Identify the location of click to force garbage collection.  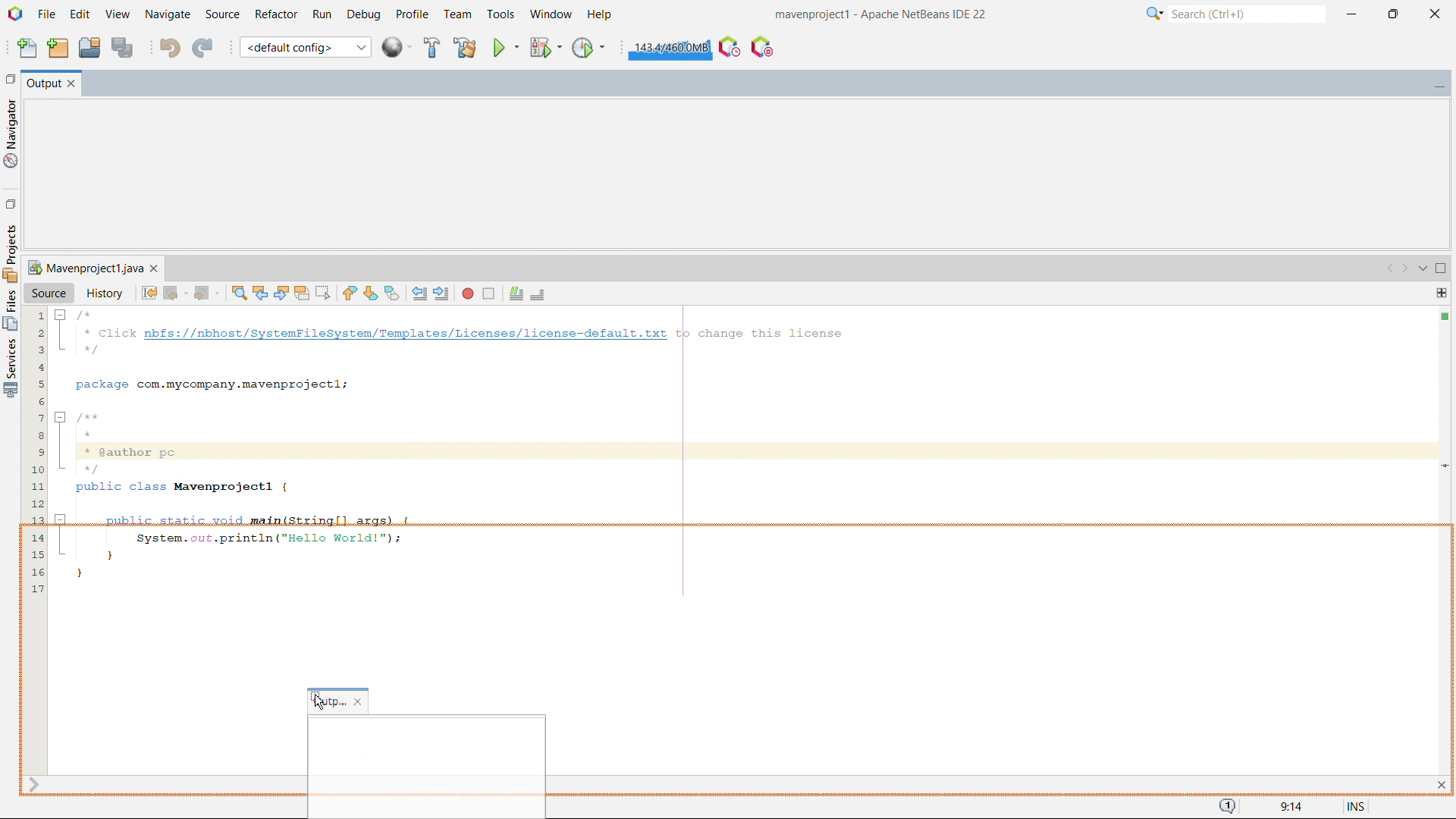
(670, 48).